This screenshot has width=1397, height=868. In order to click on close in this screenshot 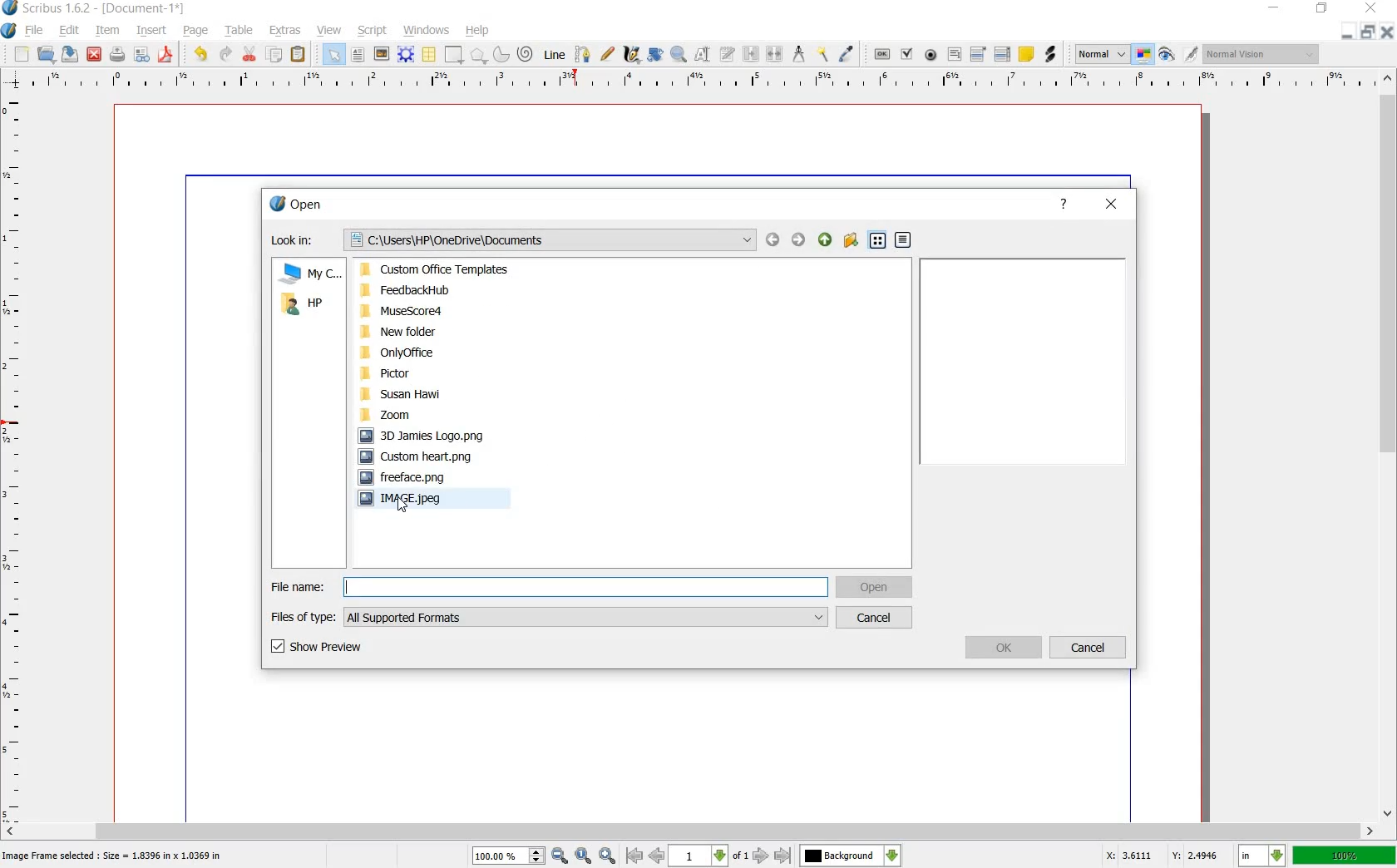, I will do `click(1110, 206)`.